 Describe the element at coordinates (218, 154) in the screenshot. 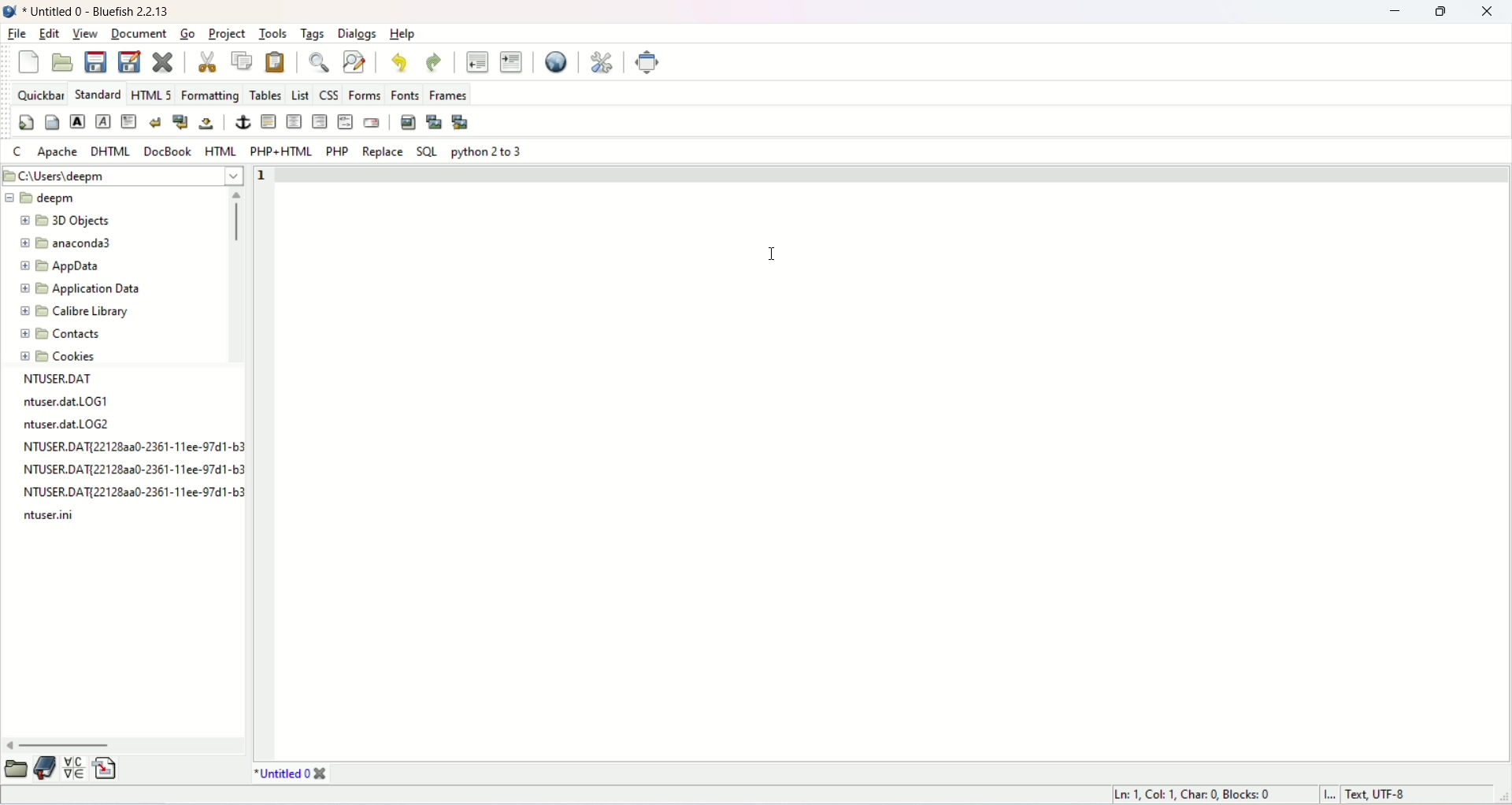

I see `HTML` at that location.